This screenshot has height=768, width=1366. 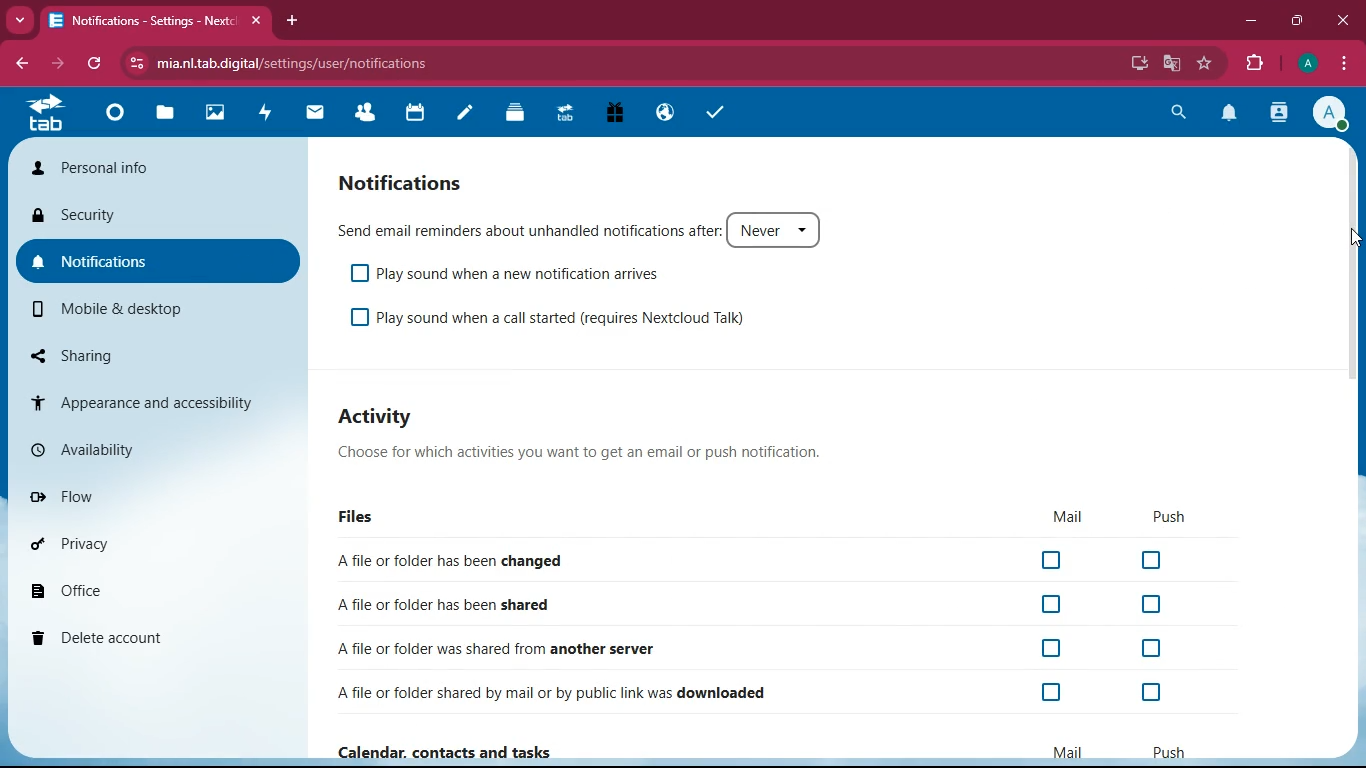 I want to click on refresh, so click(x=96, y=62).